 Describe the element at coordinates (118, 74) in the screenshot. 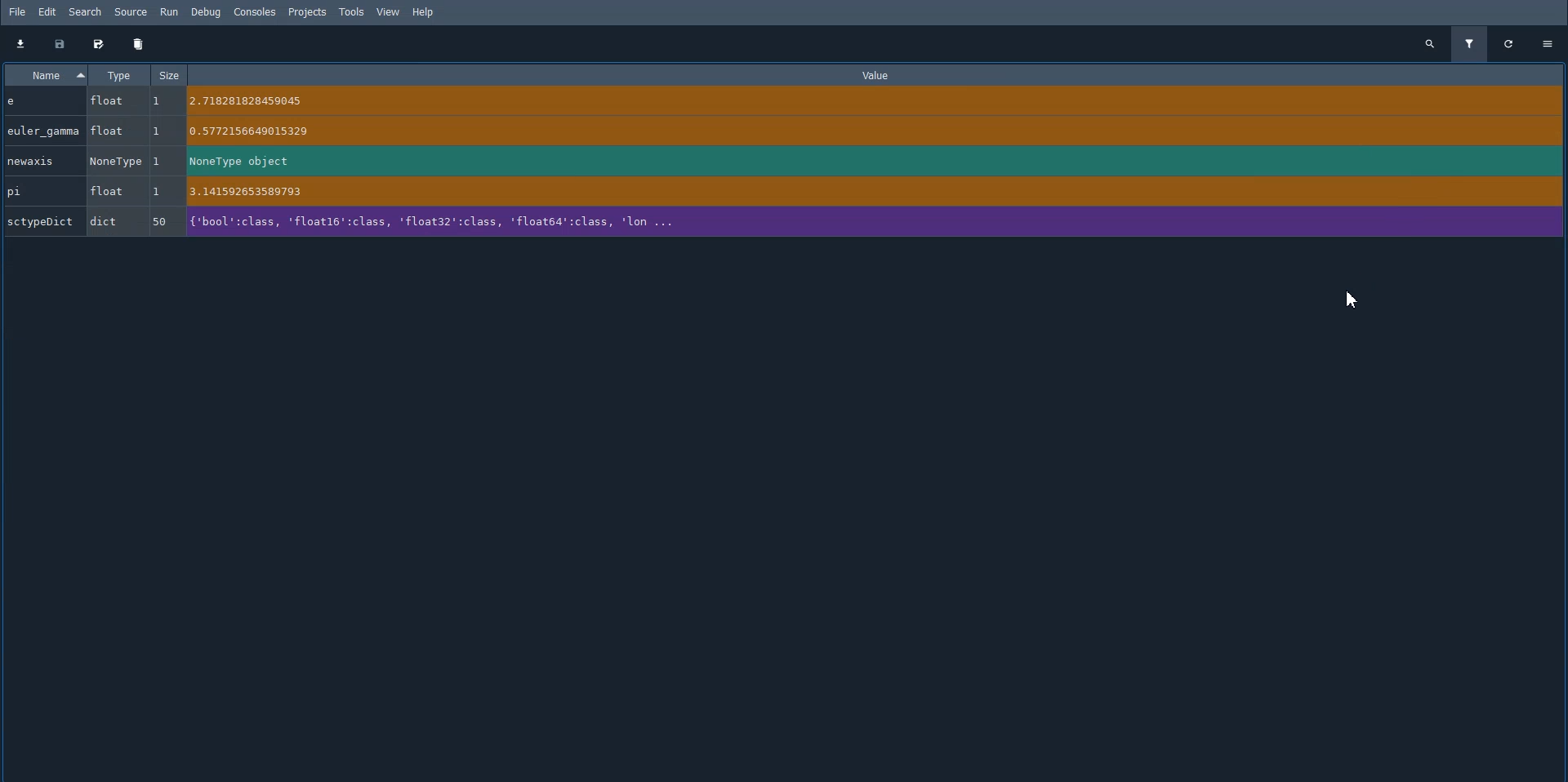

I see `Type` at that location.